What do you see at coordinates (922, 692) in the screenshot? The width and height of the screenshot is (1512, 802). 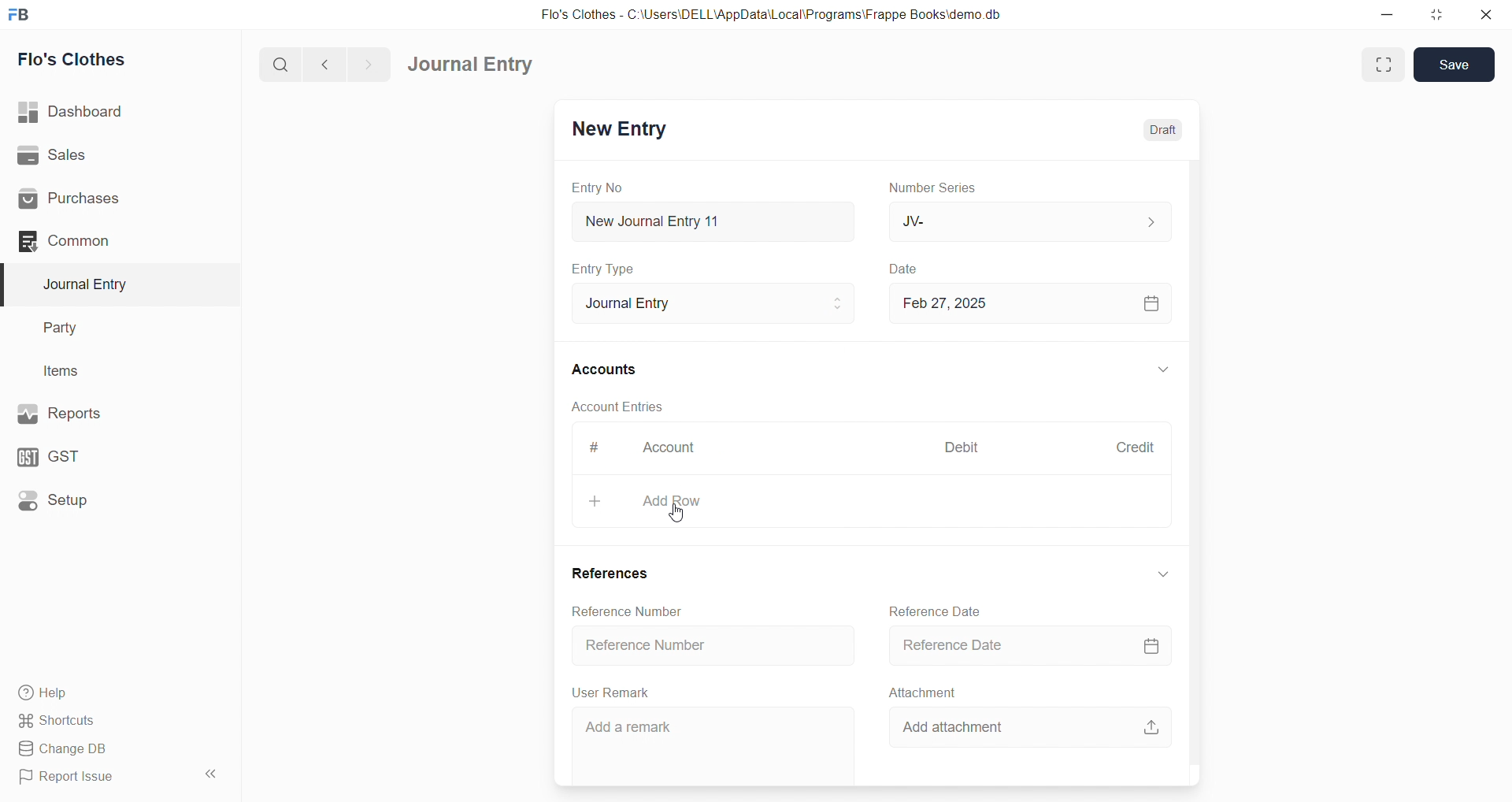 I see `Attachment` at bounding box center [922, 692].